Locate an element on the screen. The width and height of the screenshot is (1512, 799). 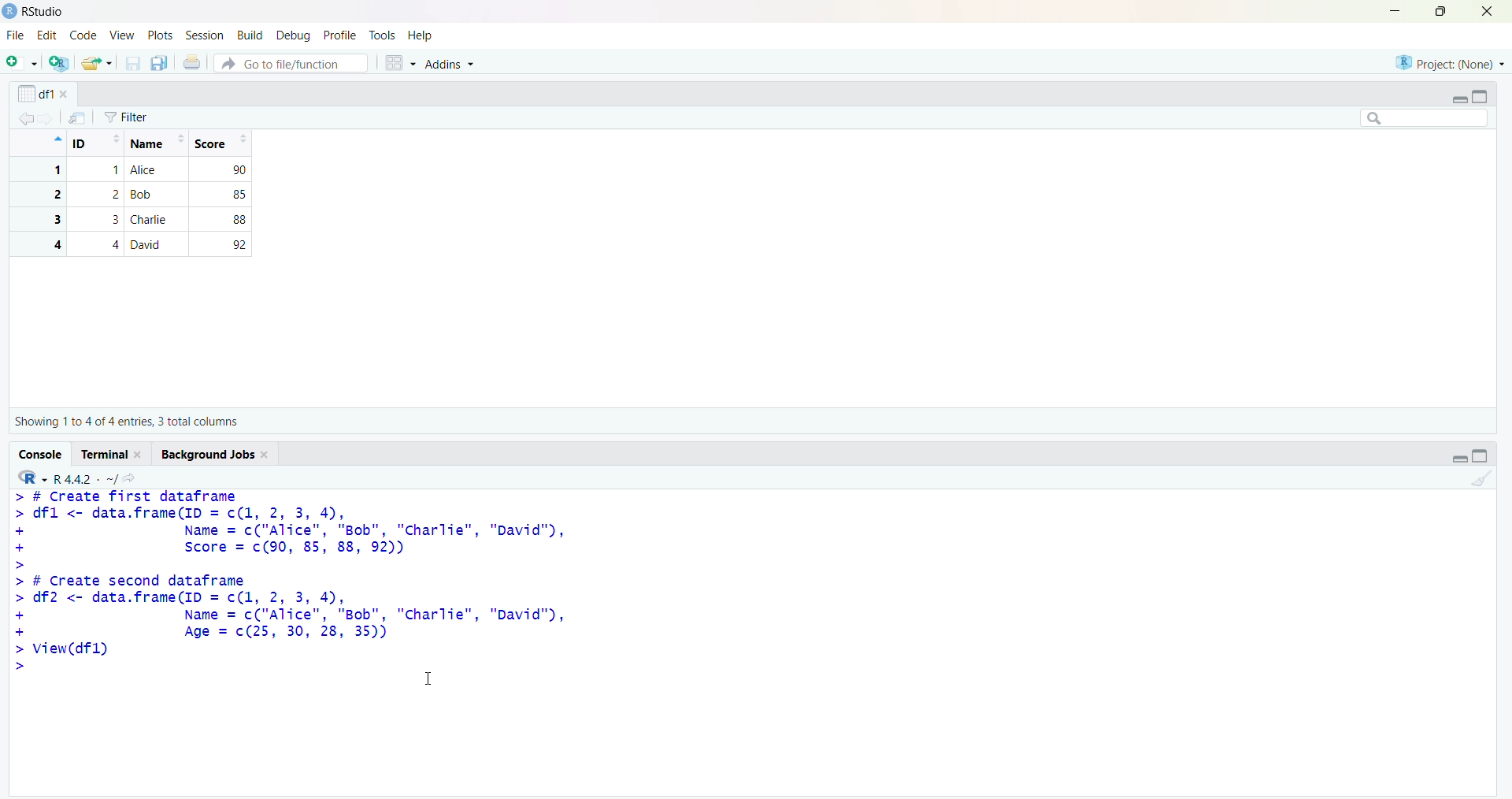
tools is located at coordinates (383, 35).